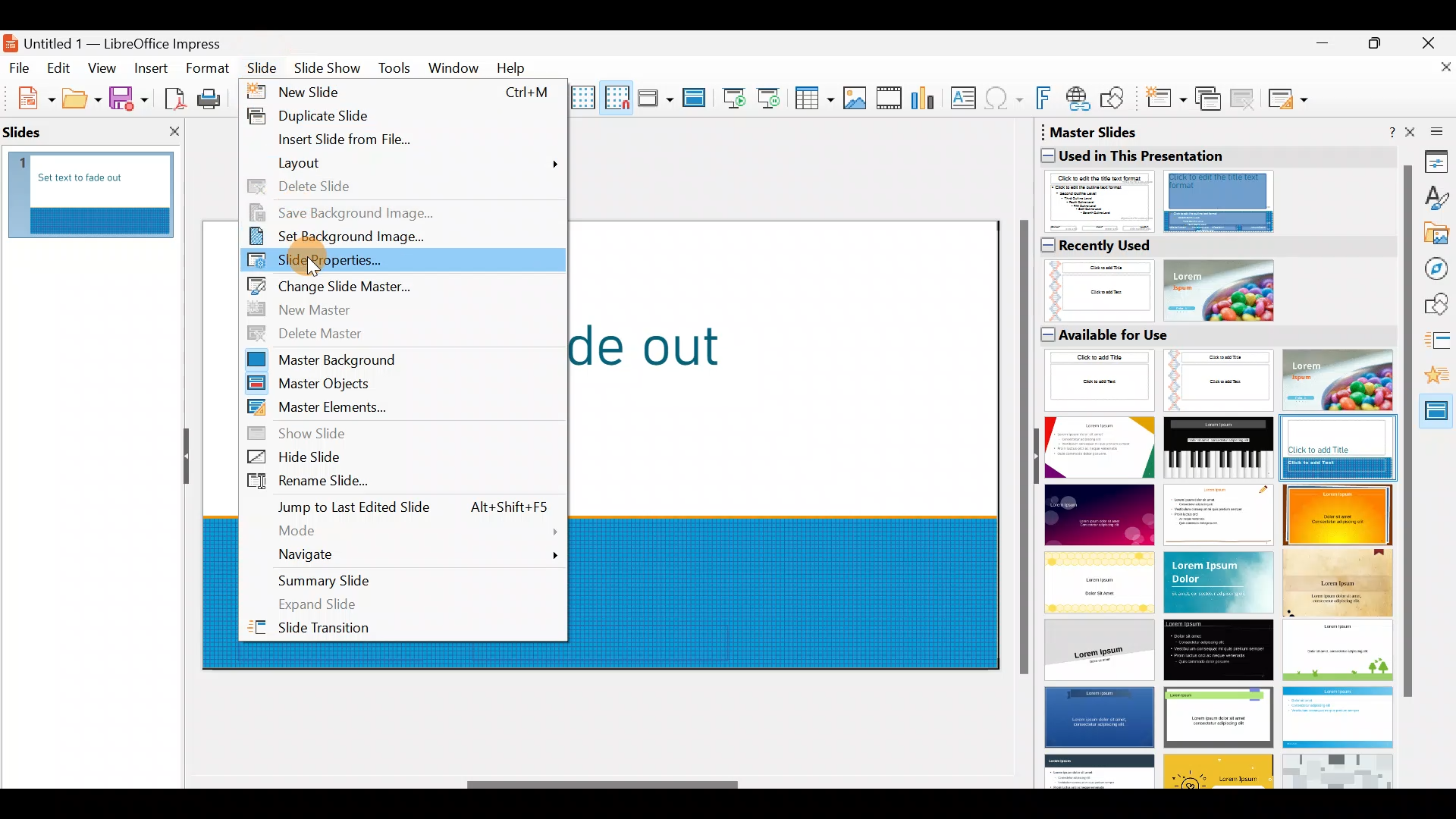  What do you see at coordinates (28, 96) in the screenshot?
I see `New` at bounding box center [28, 96].